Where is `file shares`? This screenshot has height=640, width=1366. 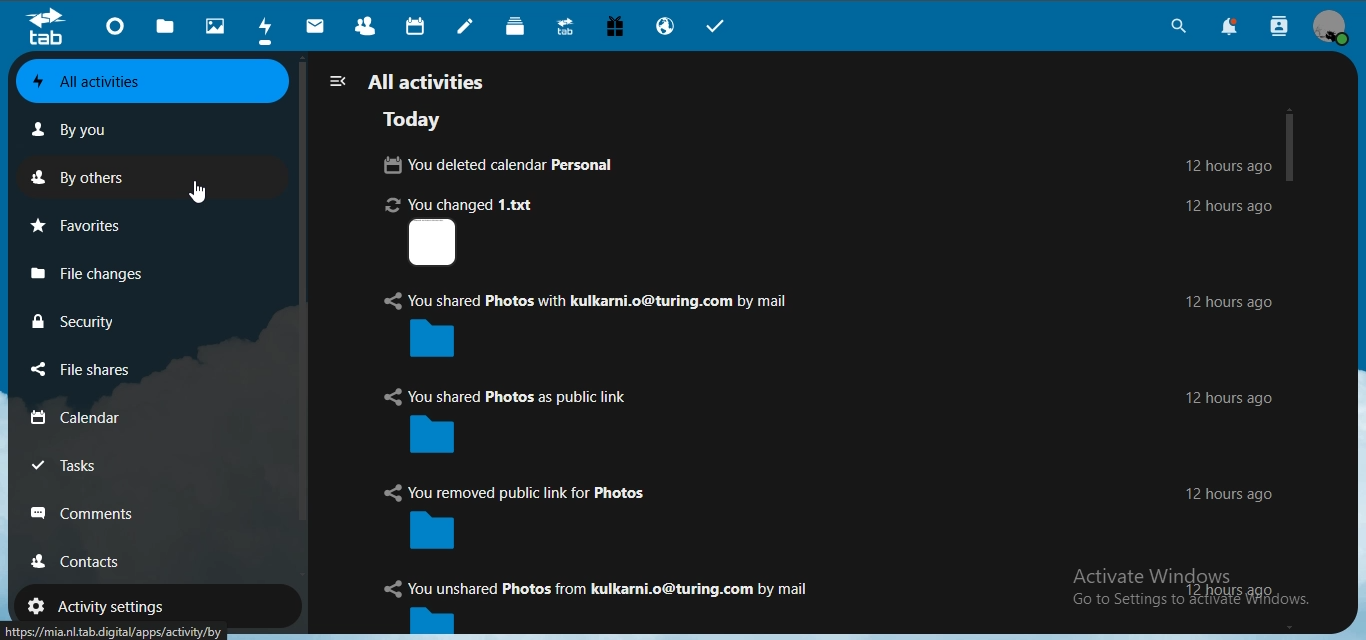
file shares is located at coordinates (90, 370).